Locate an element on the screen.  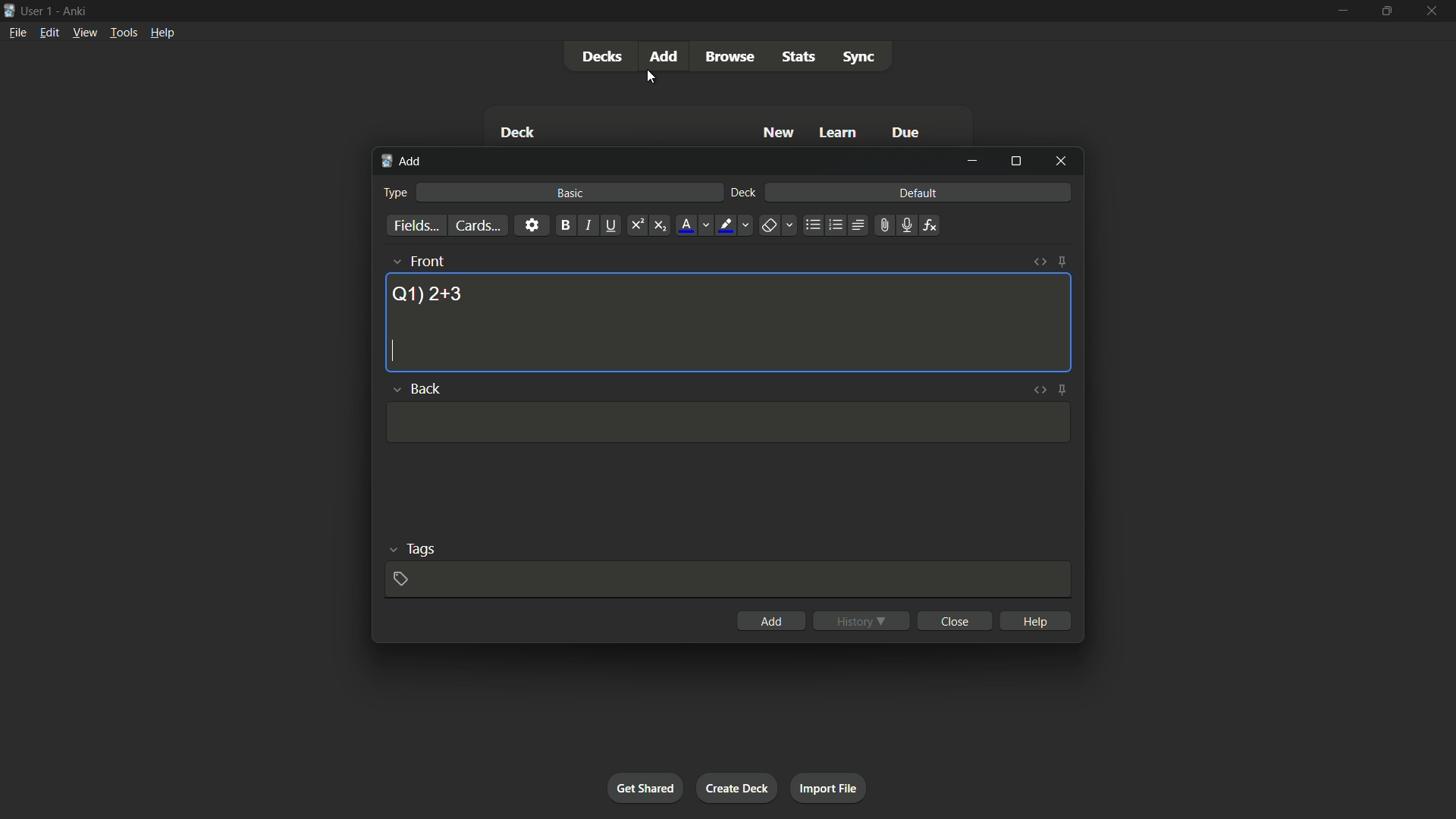
maximize is located at coordinates (1015, 161).